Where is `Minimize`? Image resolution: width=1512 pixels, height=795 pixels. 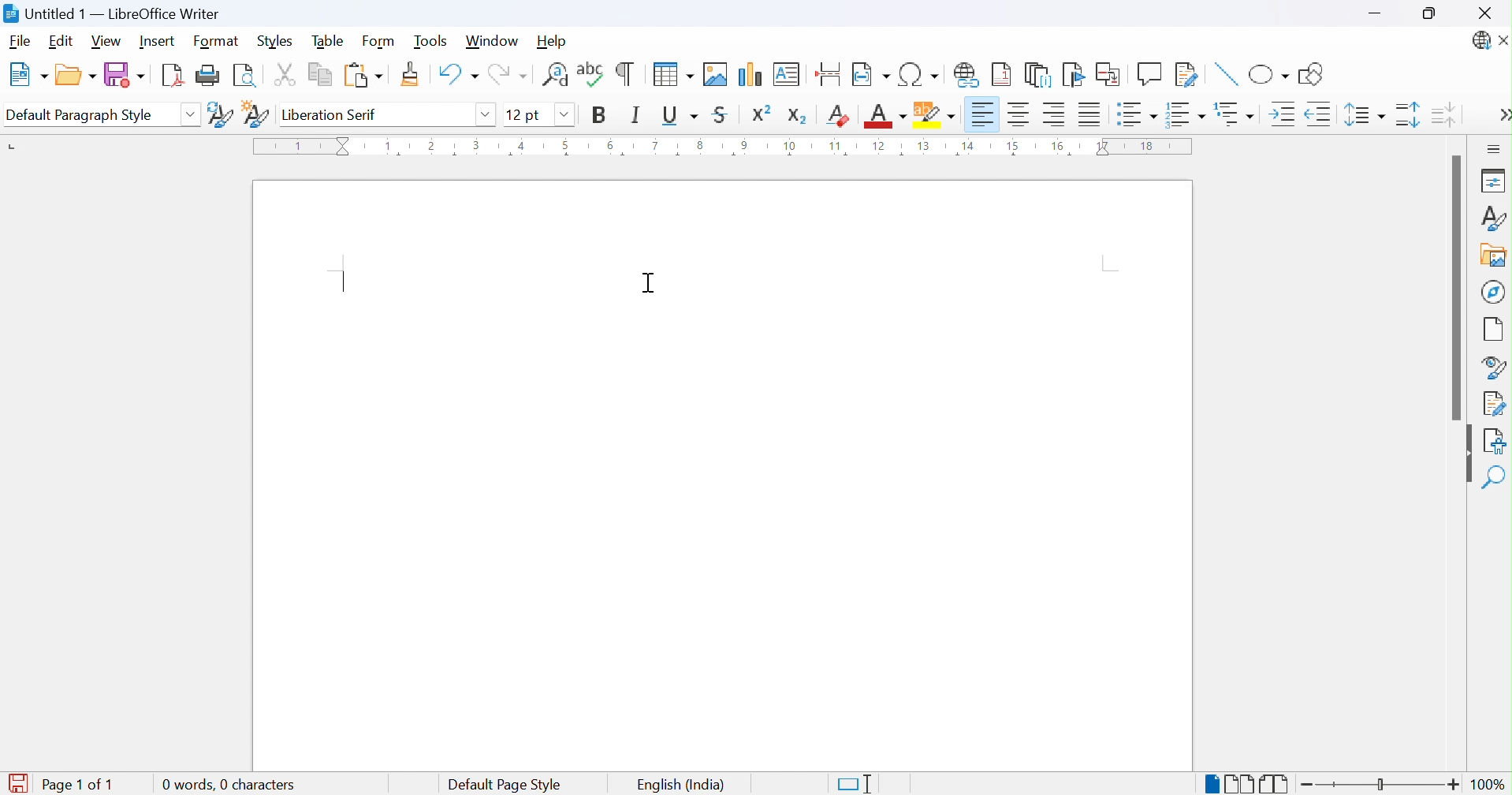
Minimize is located at coordinates (1375, 15).